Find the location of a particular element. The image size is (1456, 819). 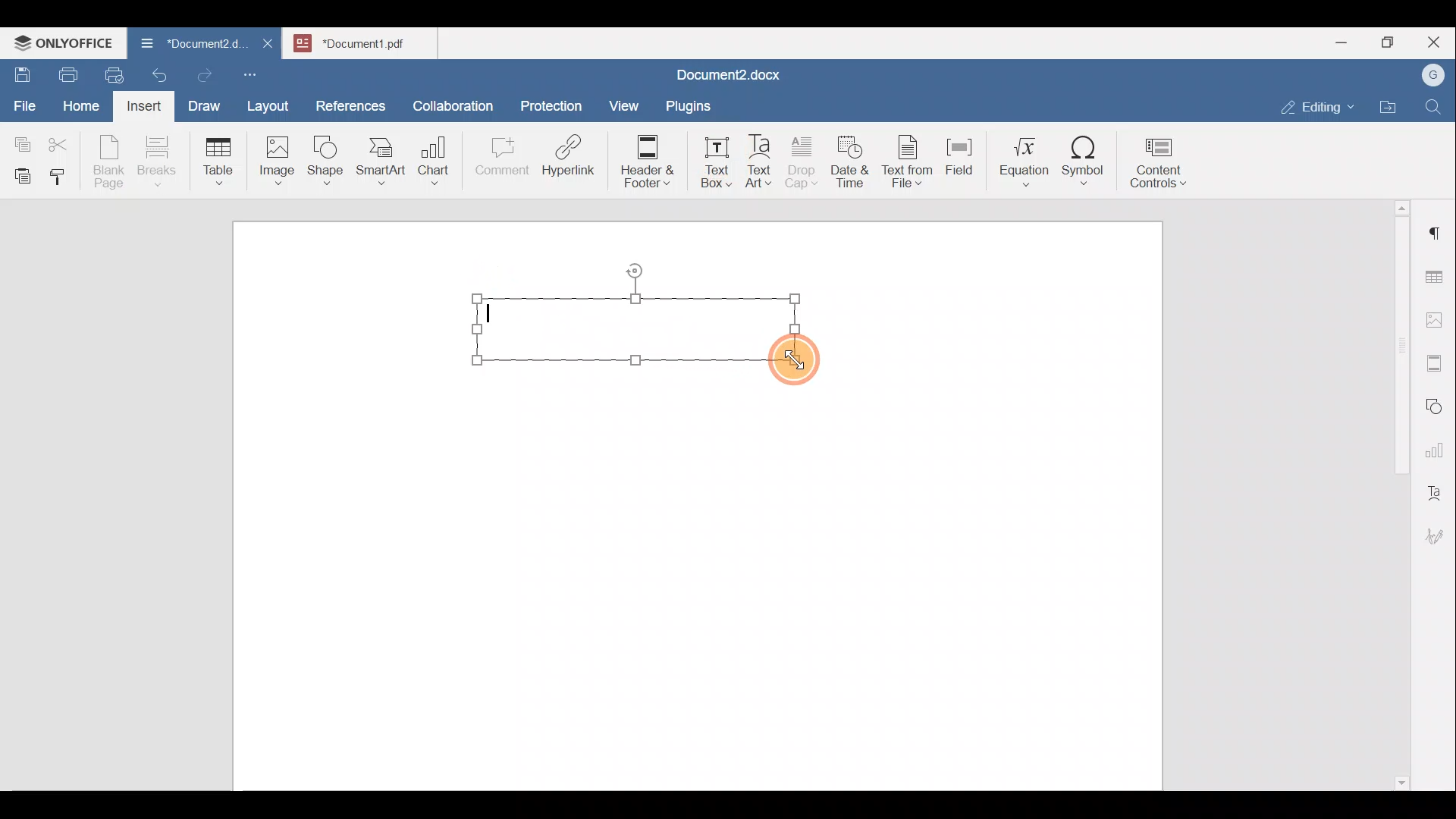

Text from file is located at coordinates (910, 160).